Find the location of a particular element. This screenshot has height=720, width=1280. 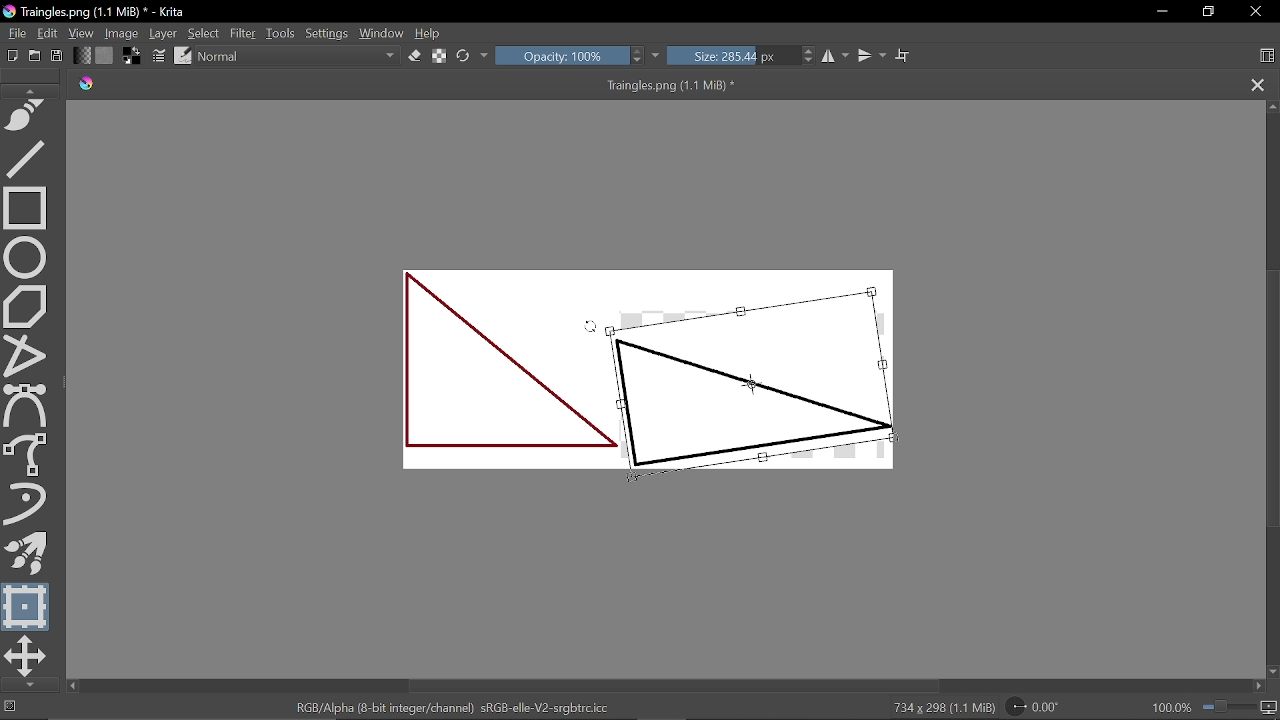

Tools is located at coordinates (282, 33).